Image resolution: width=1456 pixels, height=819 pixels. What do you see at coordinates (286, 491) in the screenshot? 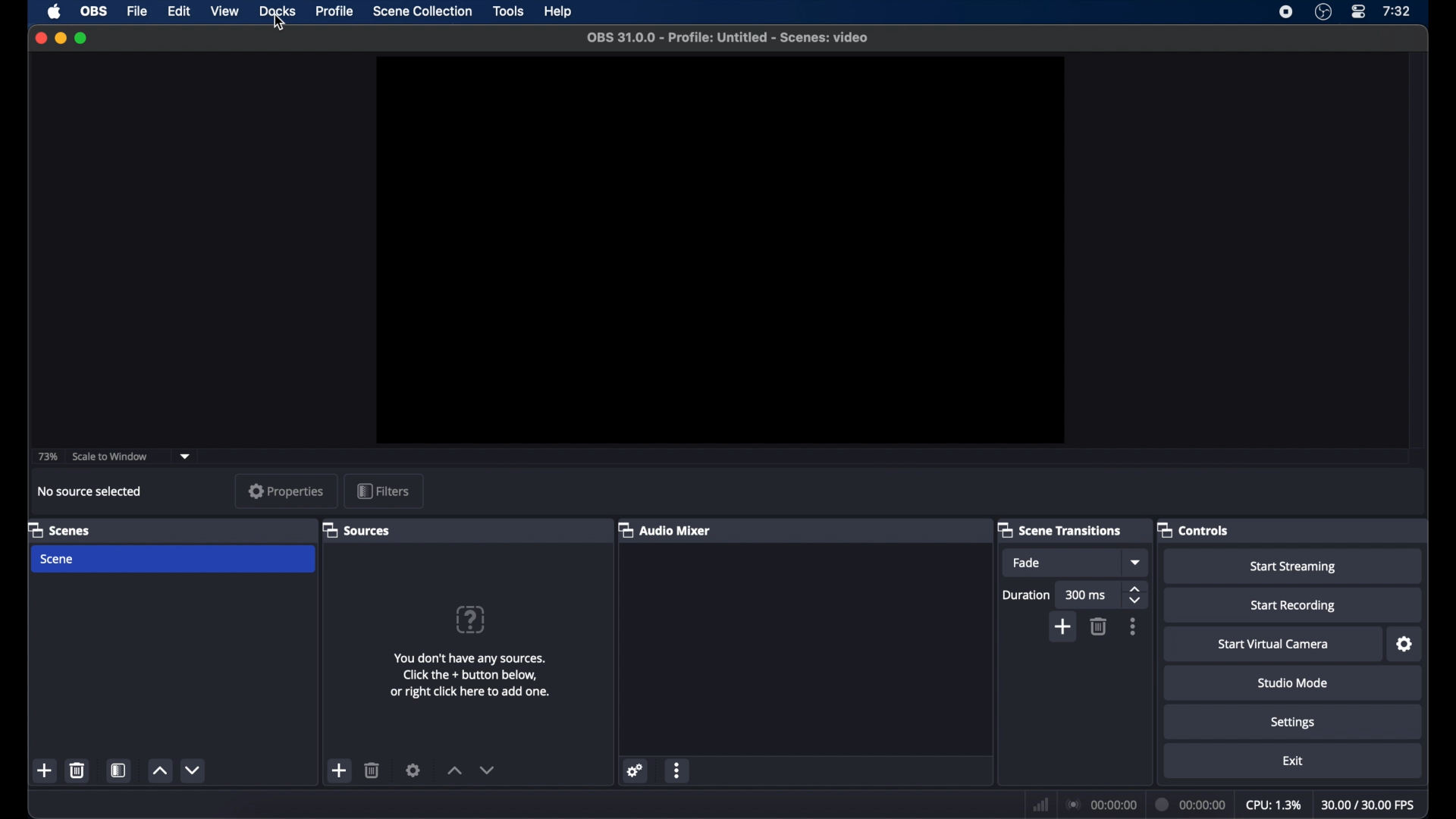
I see `properties` at bounding box center [286, 491].